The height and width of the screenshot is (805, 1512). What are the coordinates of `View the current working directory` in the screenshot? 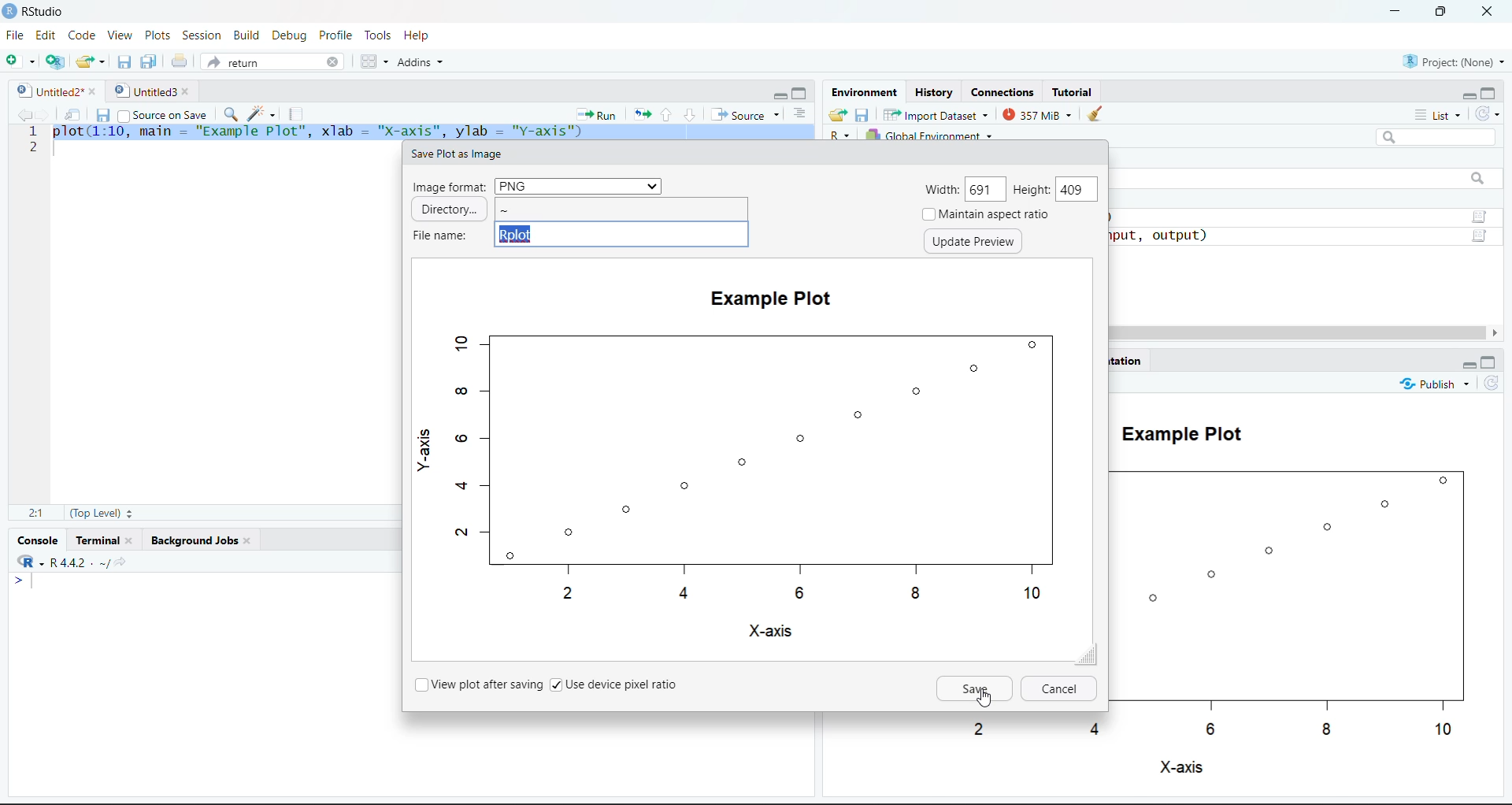 It's located at (123, 562).